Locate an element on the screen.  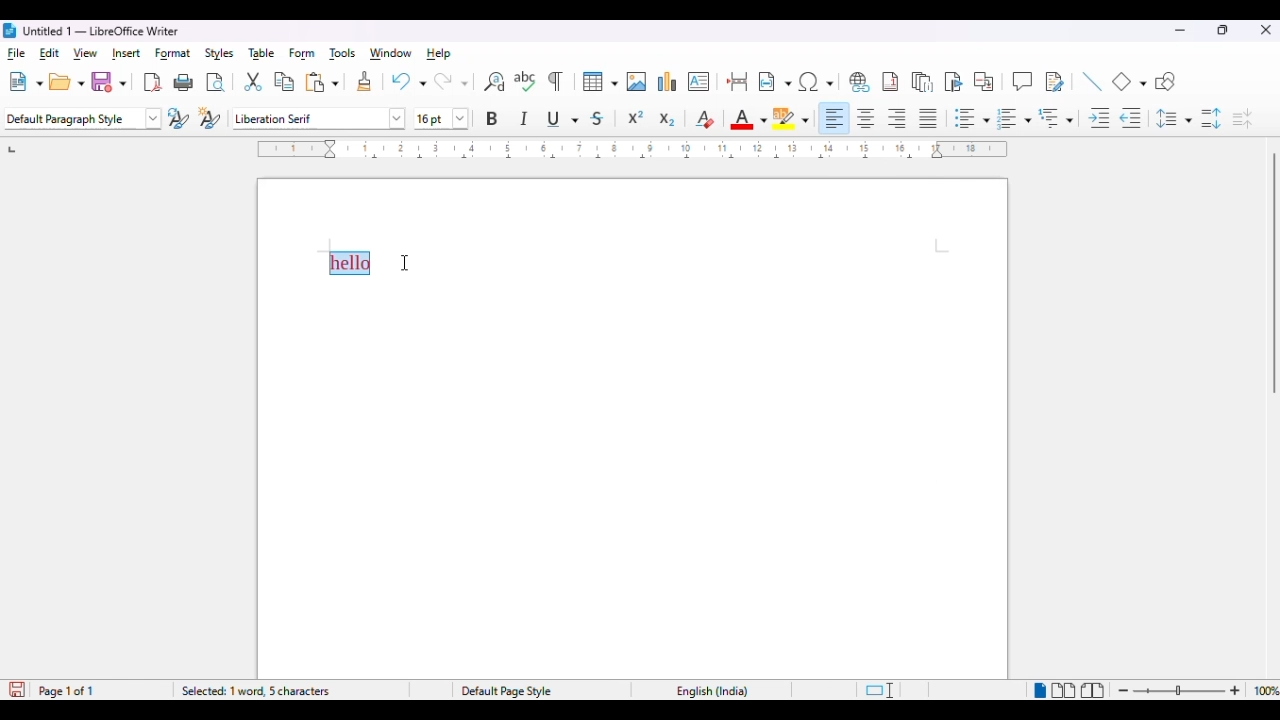
file is located at coordinates (15, 53).